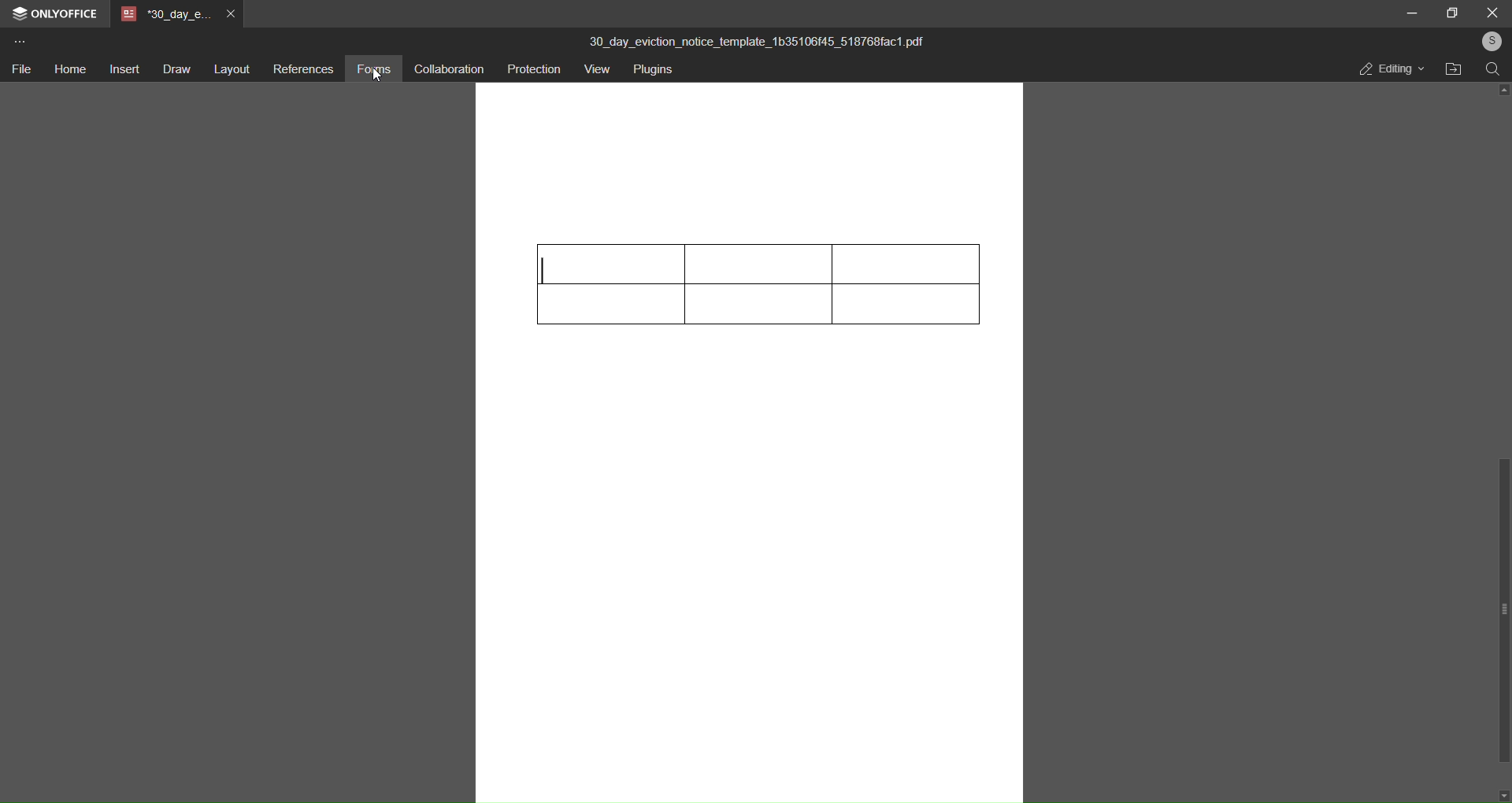 The height and width of the screenshot is (803, 1512). What do you see at coordinates (64, 15) in the screenshot?
I see `onlyoffice` at bounding box center [64, 15].